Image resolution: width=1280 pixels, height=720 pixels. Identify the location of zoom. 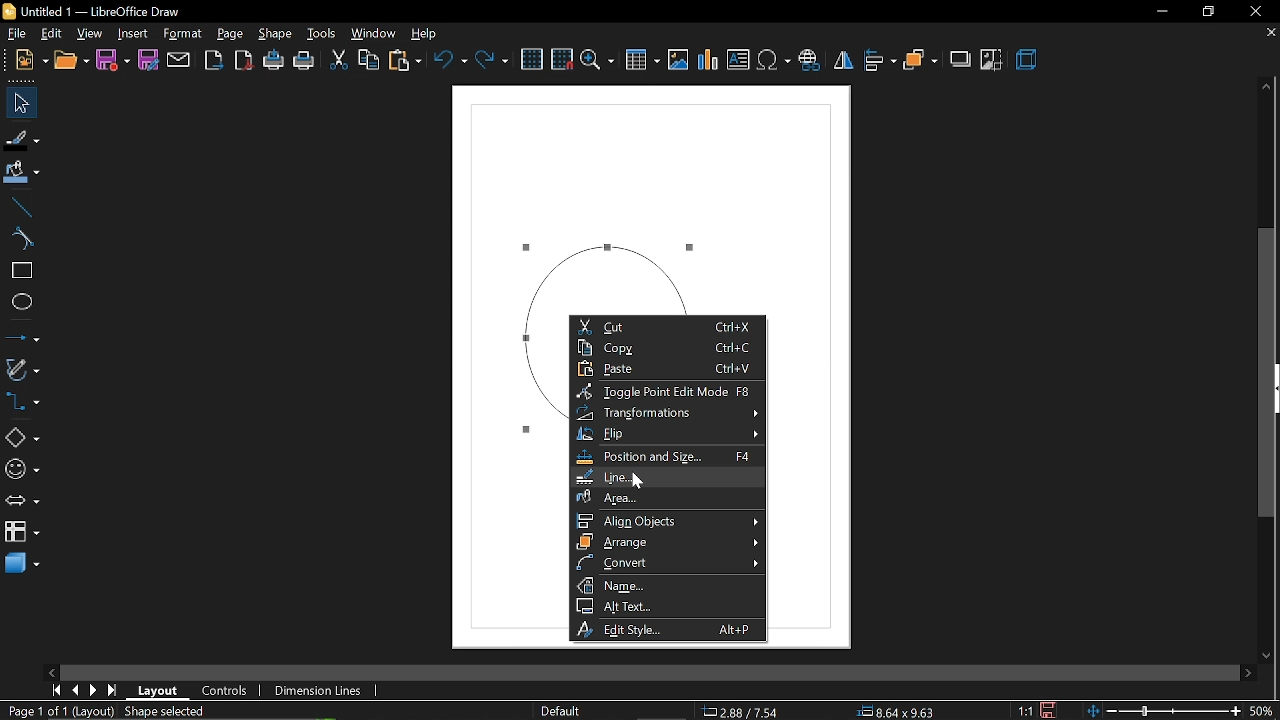
(598, 60).